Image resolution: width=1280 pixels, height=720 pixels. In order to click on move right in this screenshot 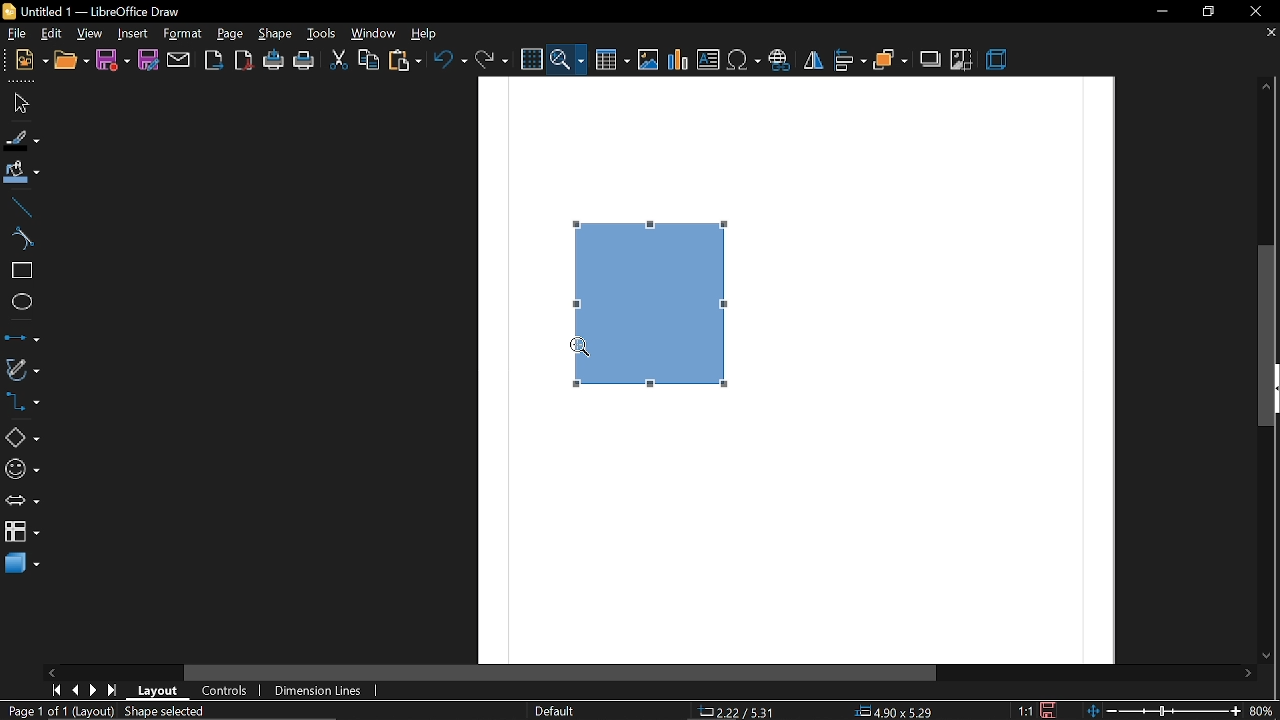, I will do `click(1248, 675)`.